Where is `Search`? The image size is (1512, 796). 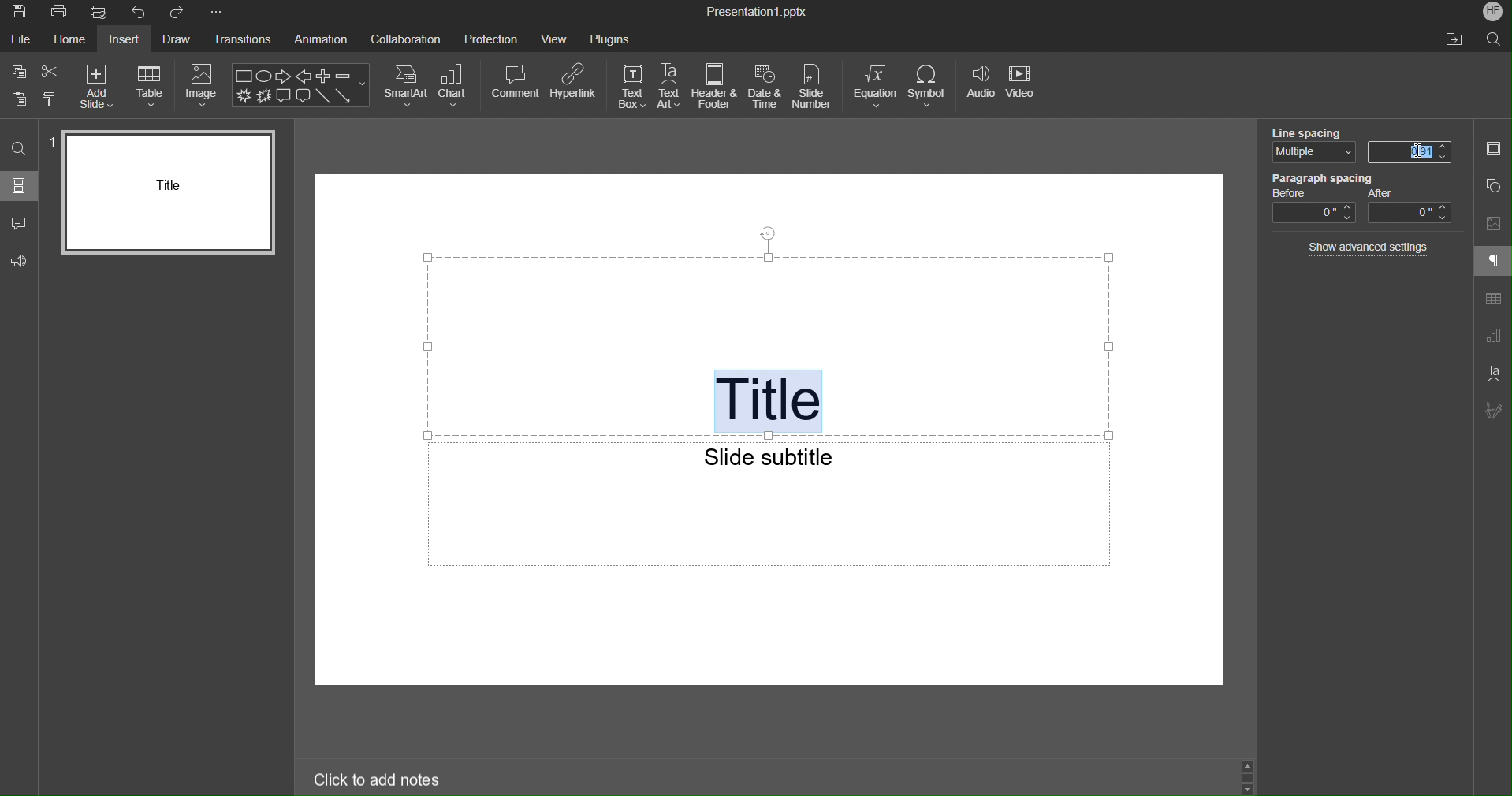
Search is located at coordinates (1495, 40).